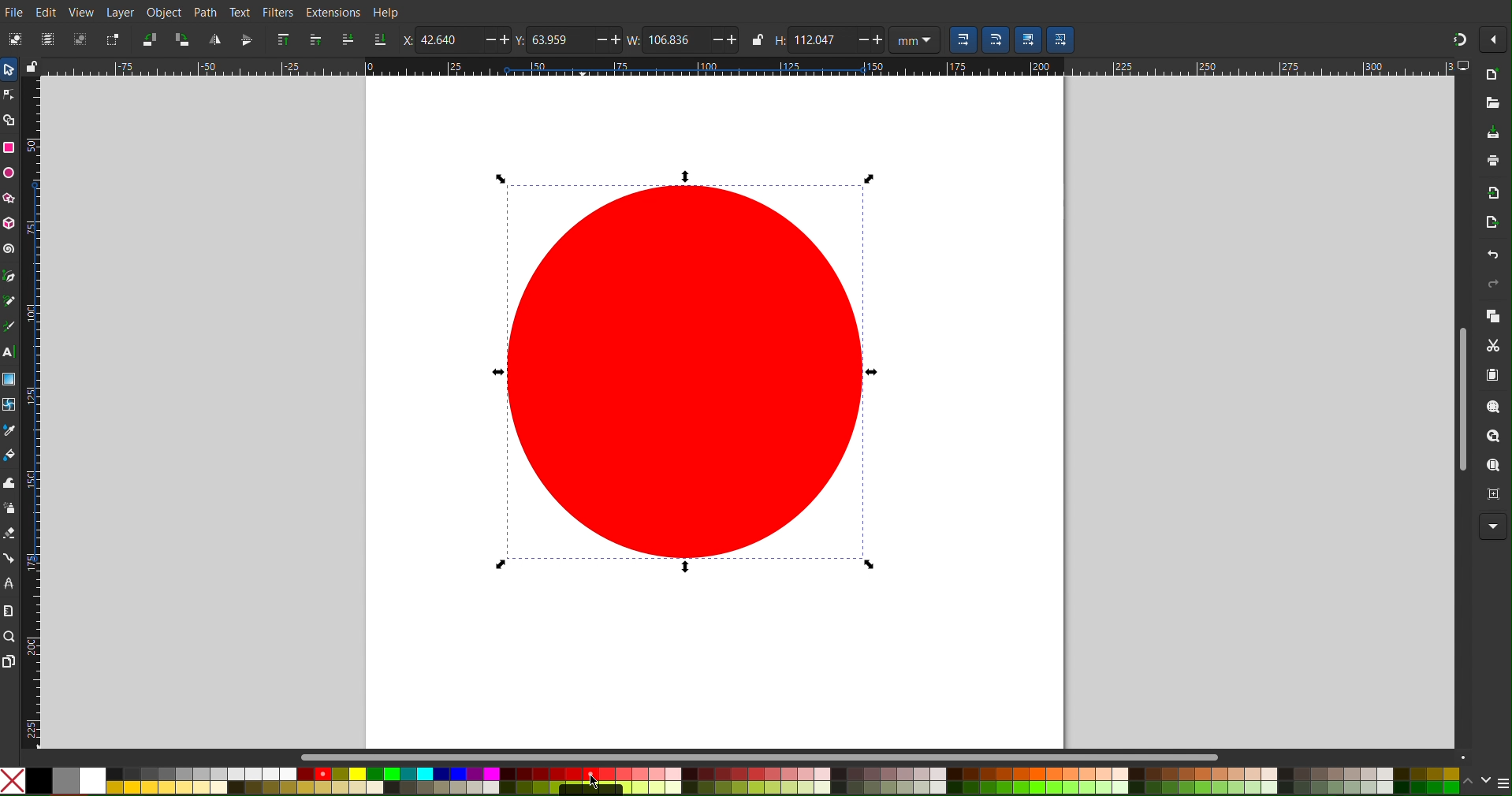 The image size is (1512, 796). Describe the element at coordinates (687, 376) in the screenshot. I see `Black filled circle` at that location.